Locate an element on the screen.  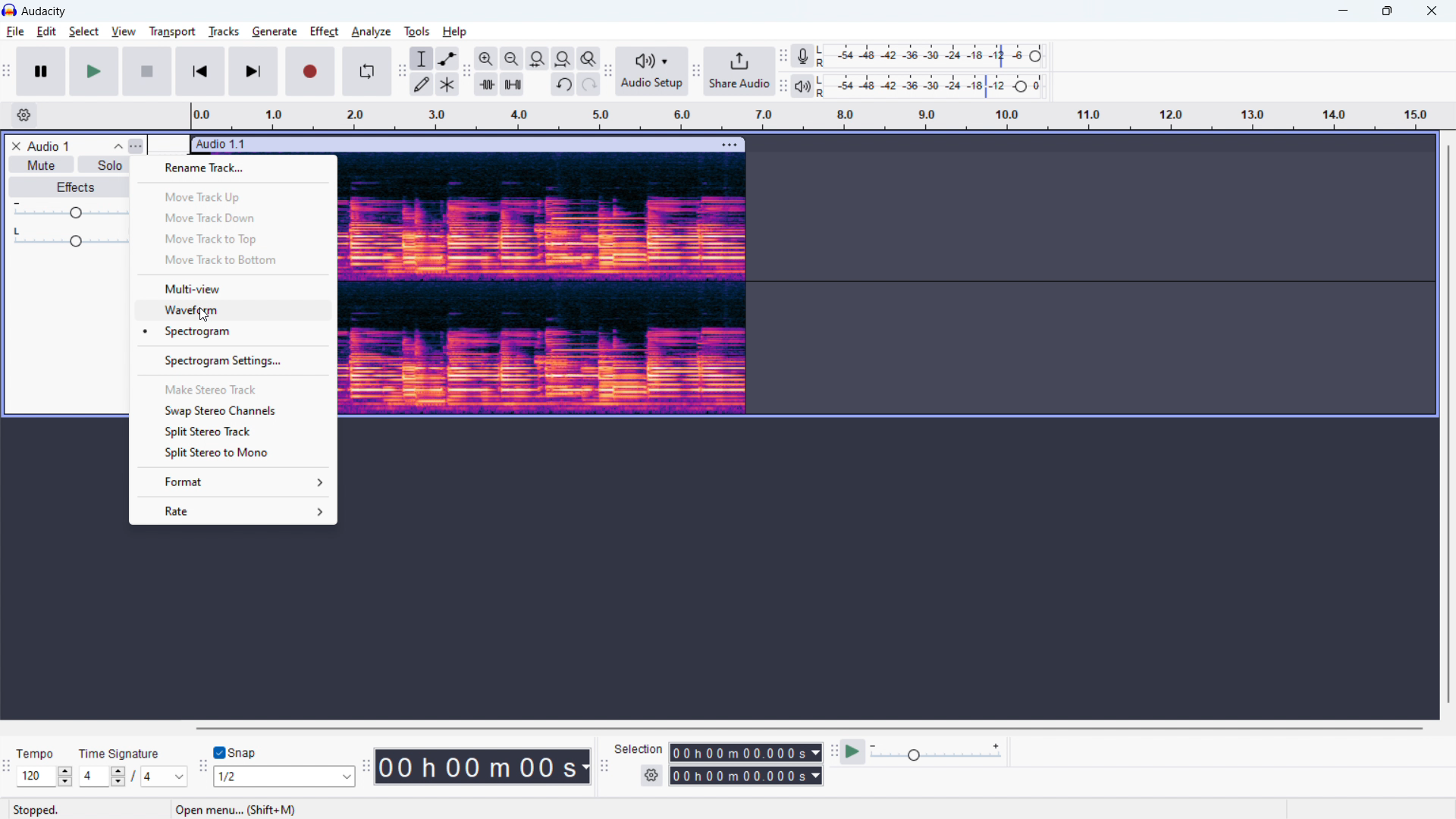
minimize is located at coordinates (1342, 11).